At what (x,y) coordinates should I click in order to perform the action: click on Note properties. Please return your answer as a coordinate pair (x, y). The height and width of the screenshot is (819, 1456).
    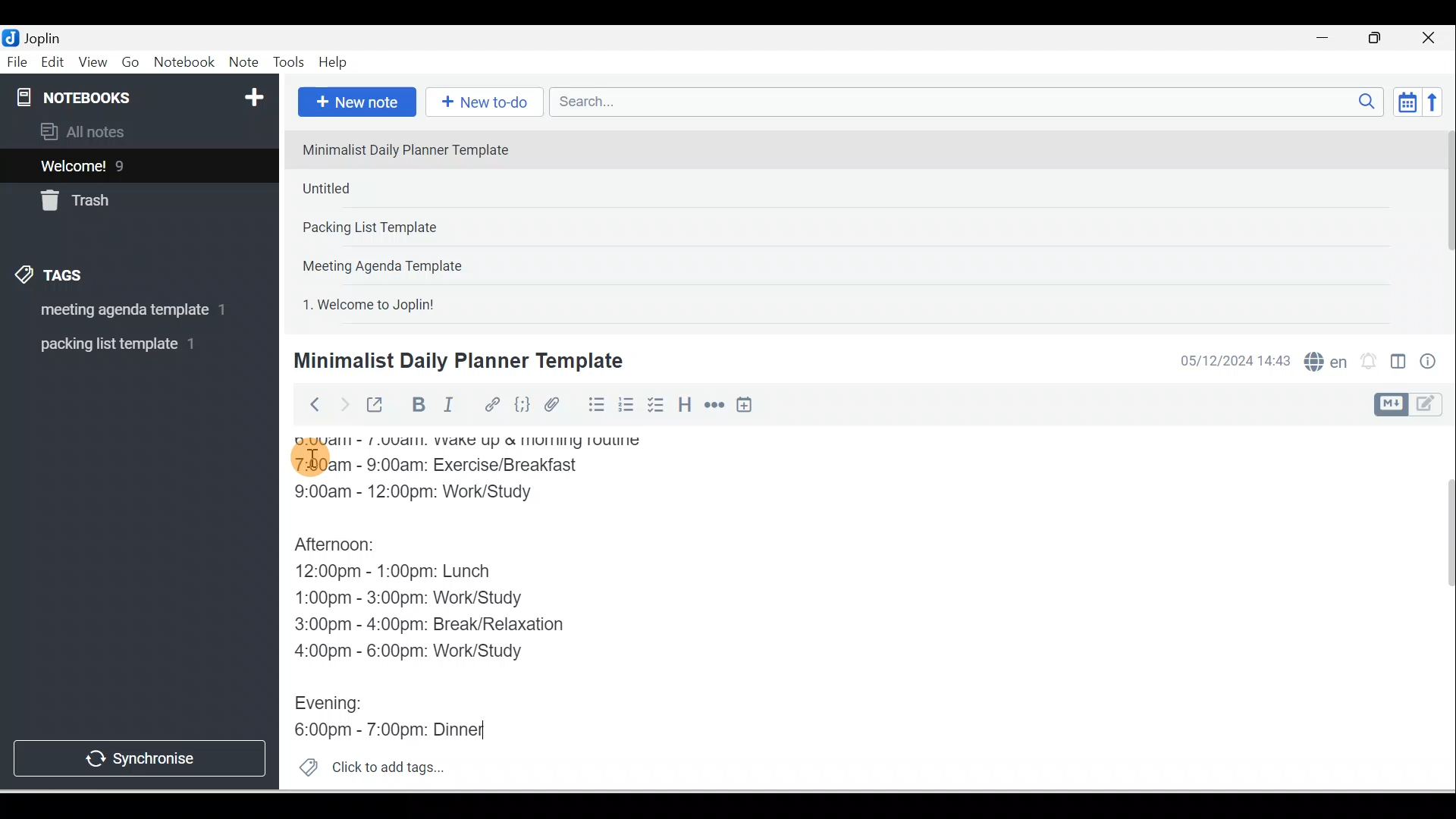
    Looking at the image, I should click on (1429, 363).